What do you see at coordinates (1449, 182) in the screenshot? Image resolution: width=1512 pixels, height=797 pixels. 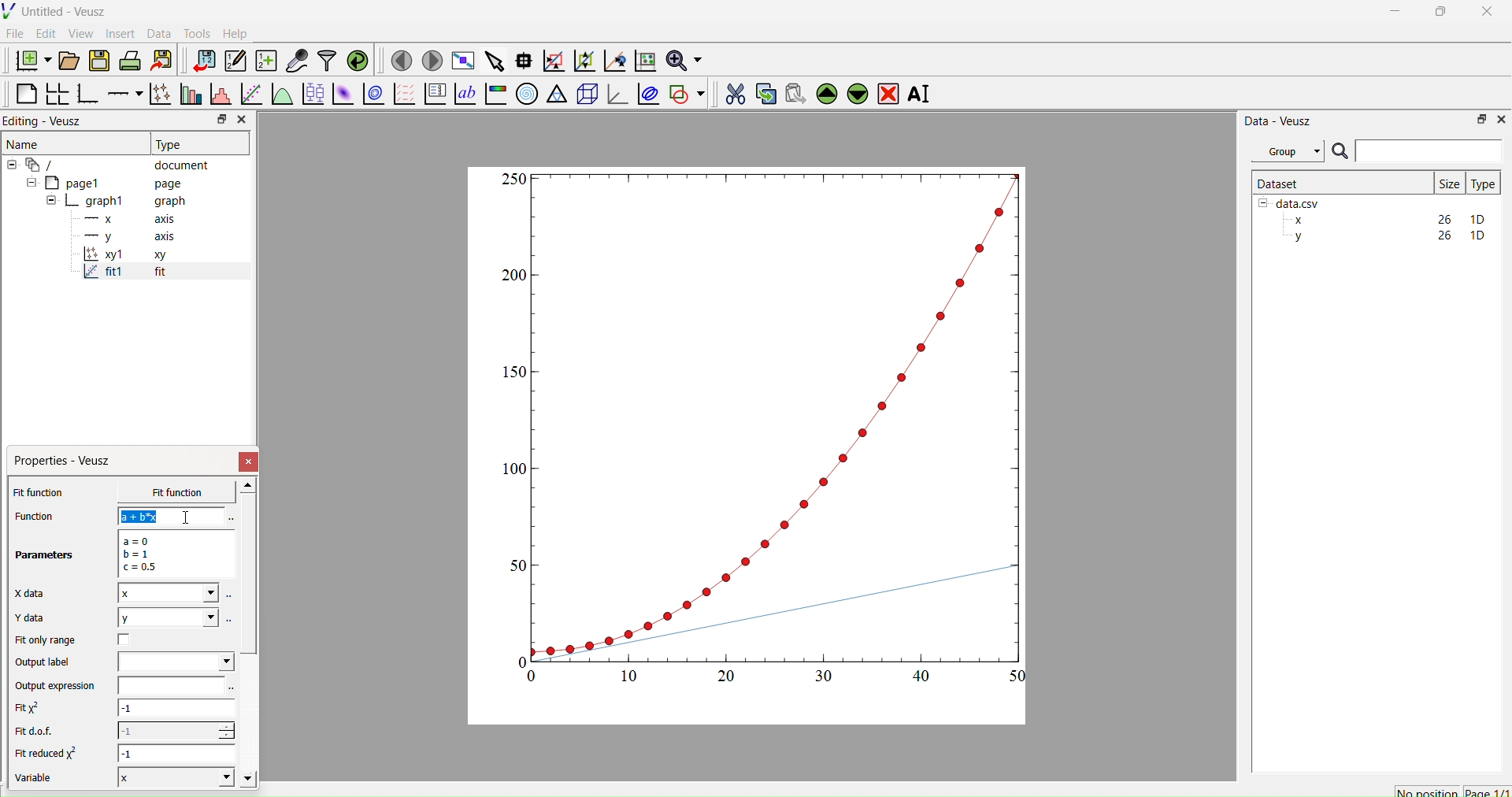 I see `| Size` at bounding box center [1449, 182].